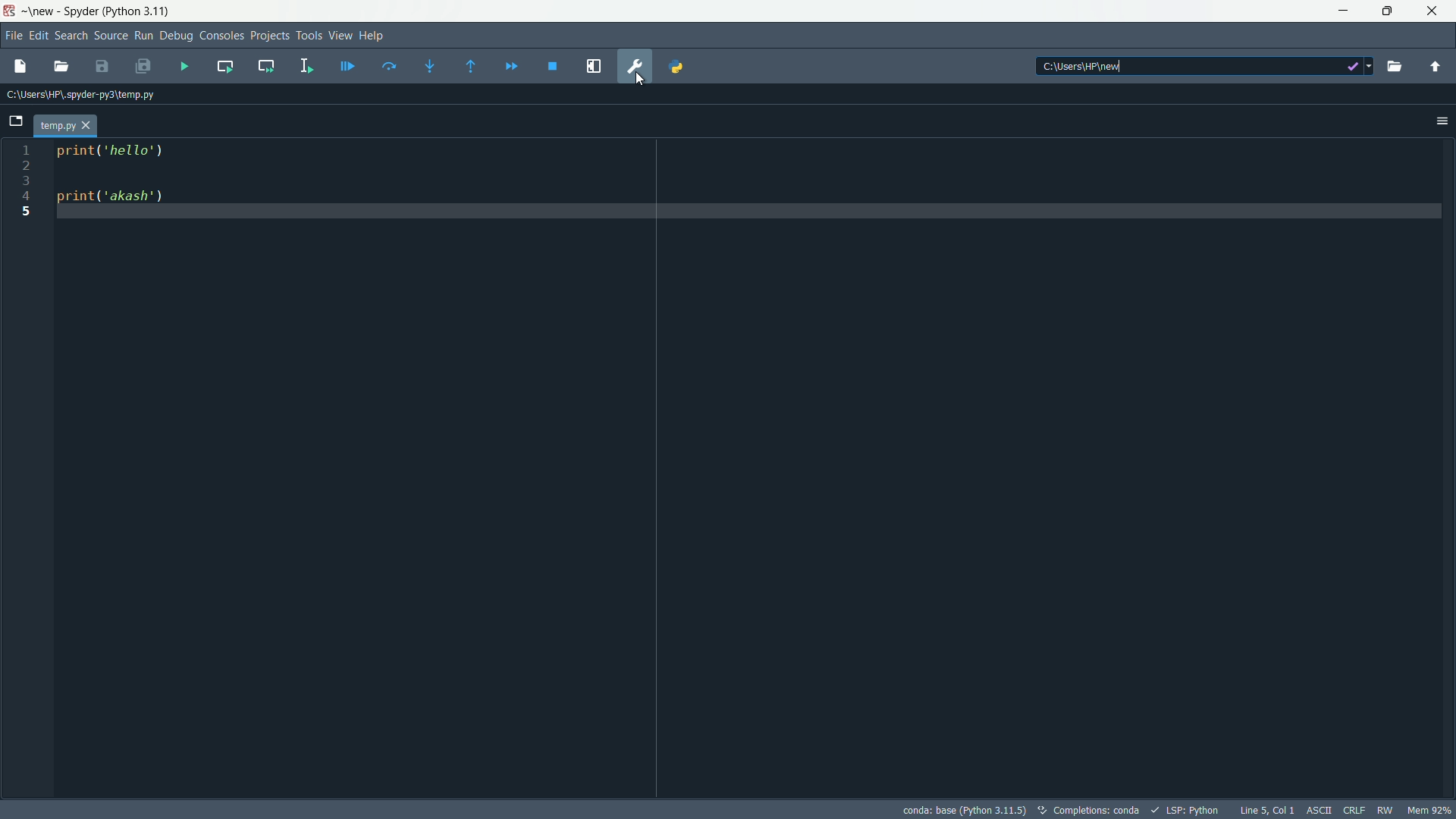 The width and height of the screenshot is (1456, 819). Describe the element at coordinates (1080, 67) in the screenshot. I see `C:\Users\HP\new` at that location.